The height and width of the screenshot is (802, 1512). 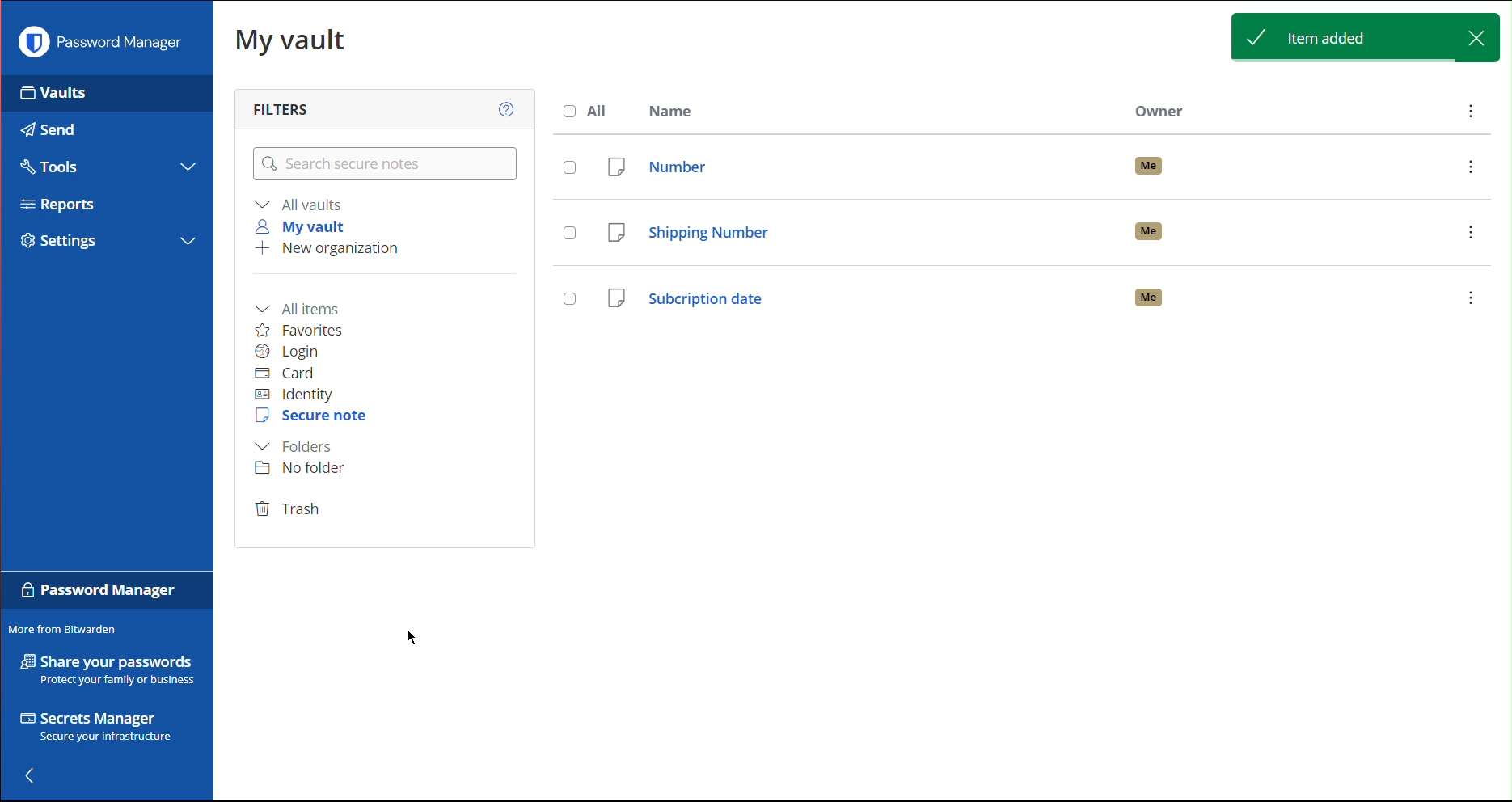 What do you see at coordinates (679, 111) in the screenshot?
I see `Name` at bounding box center [679, 111].